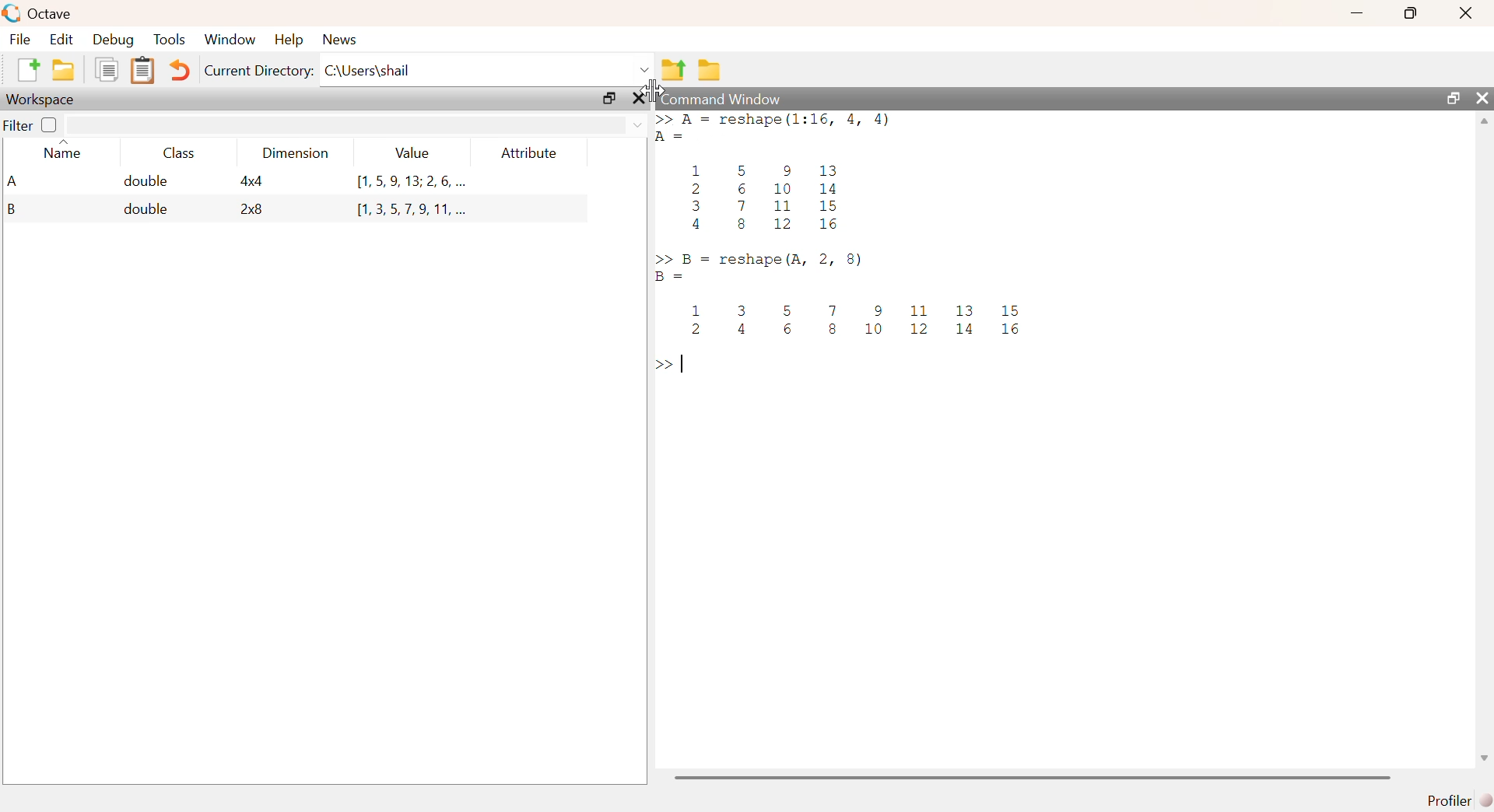 This screenshot has width=1494, height=812. I want to click on class, so click(180, 154).